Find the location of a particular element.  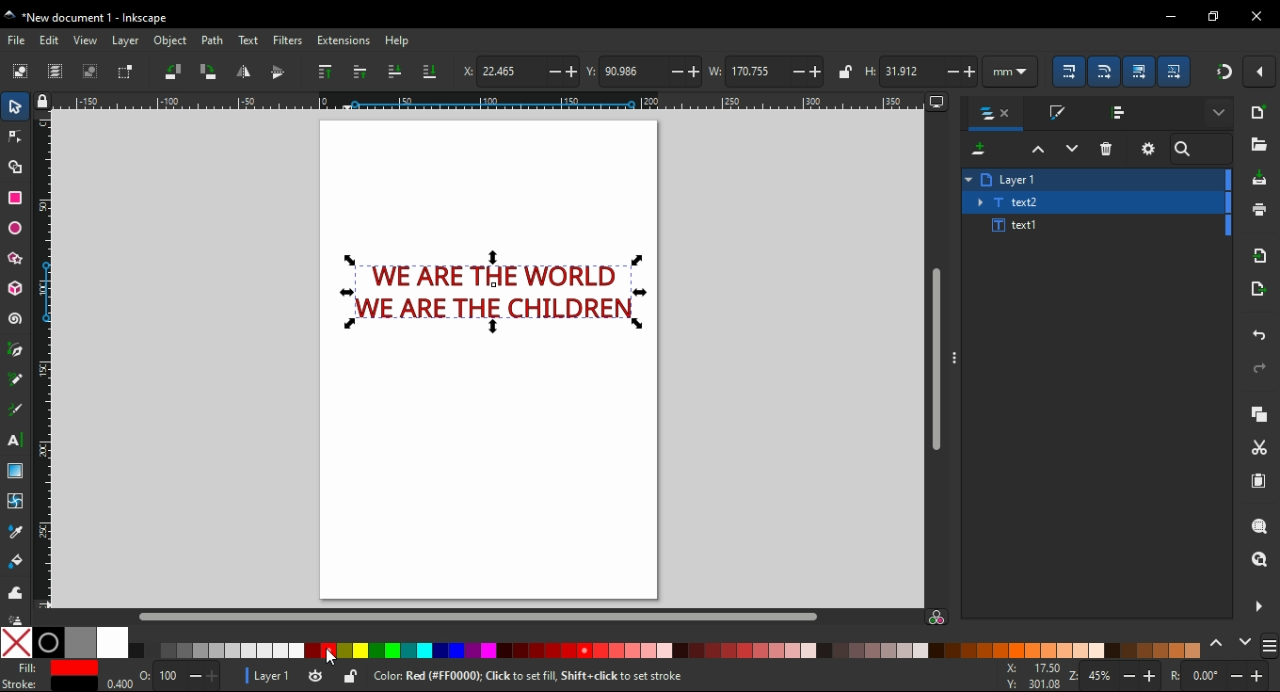

spiral tool is located at coordinates (13, 319).